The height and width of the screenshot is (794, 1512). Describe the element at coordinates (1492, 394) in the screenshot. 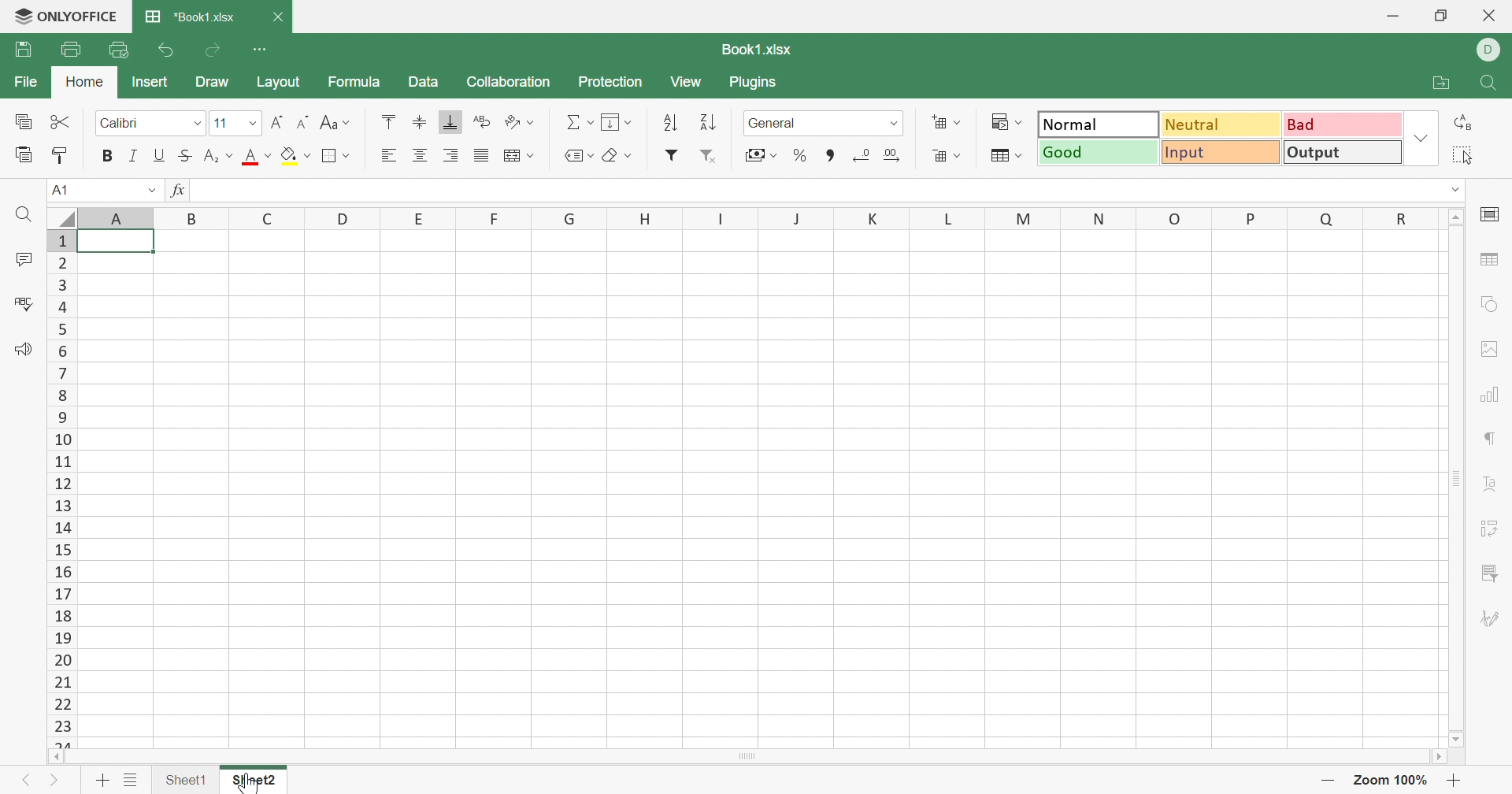

I see `chart settings` at that location.